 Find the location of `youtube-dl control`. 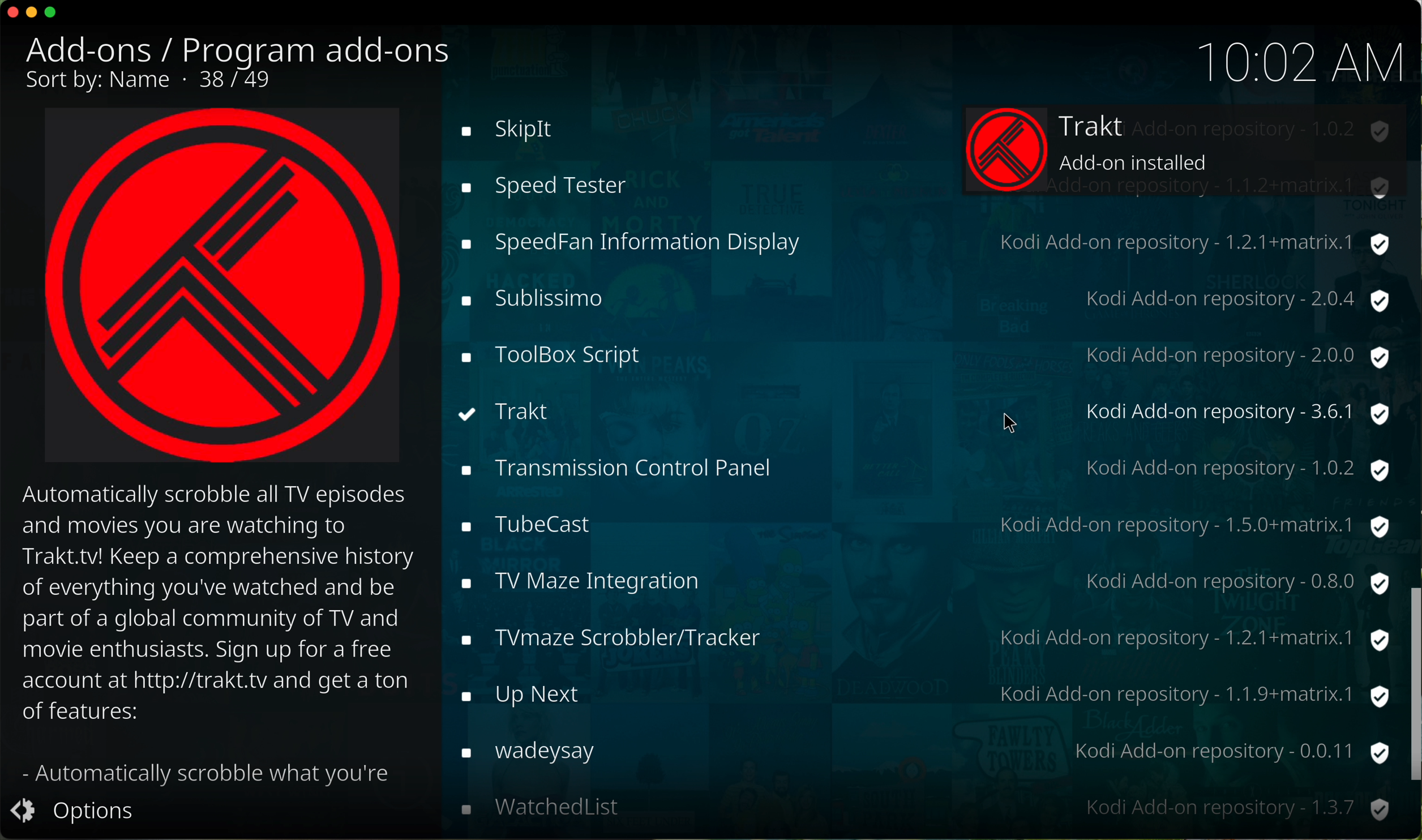

youtube-dl control is located at coordinates (922, 808).